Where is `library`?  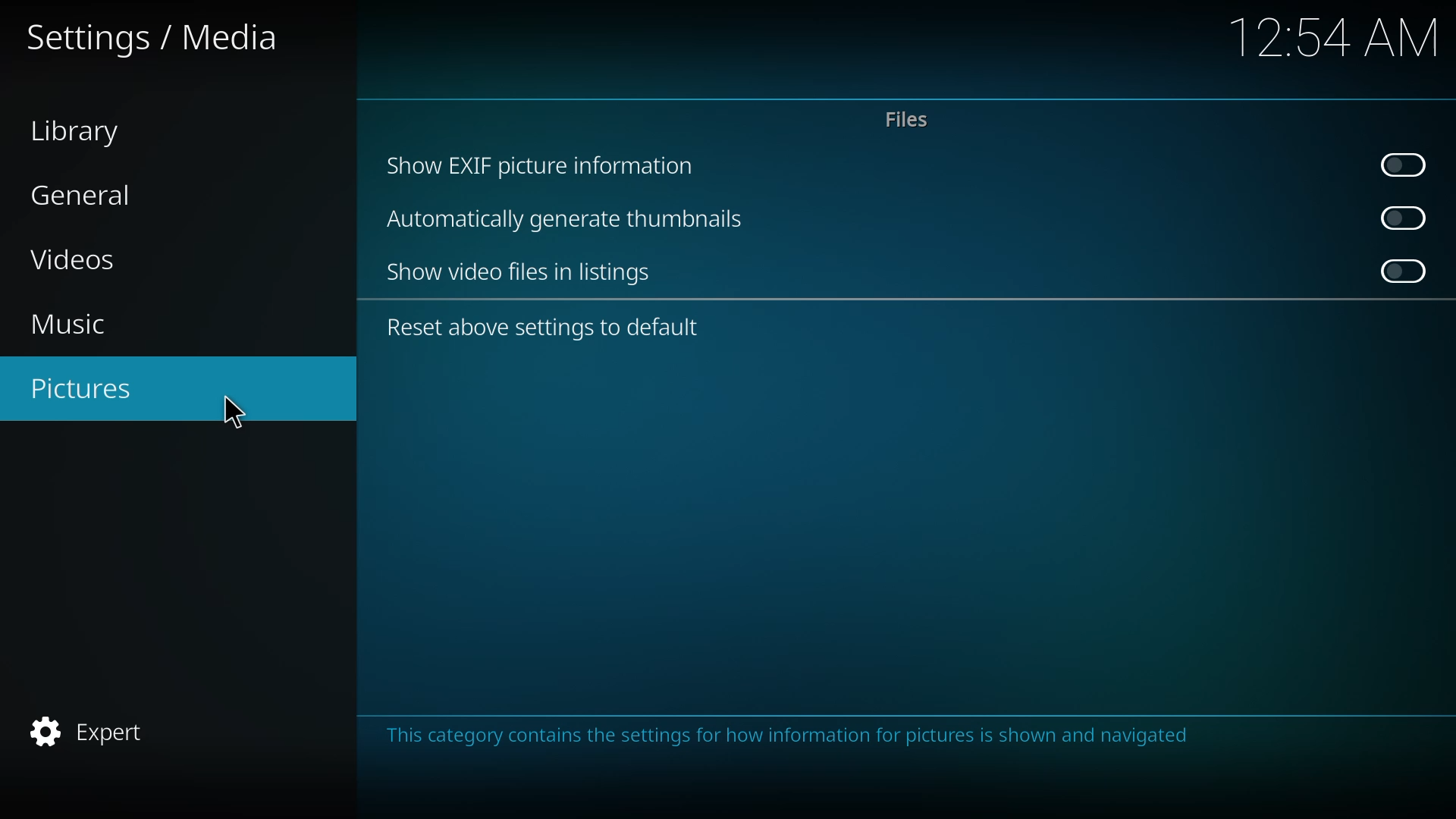
library is located at coordinates (84, 133).